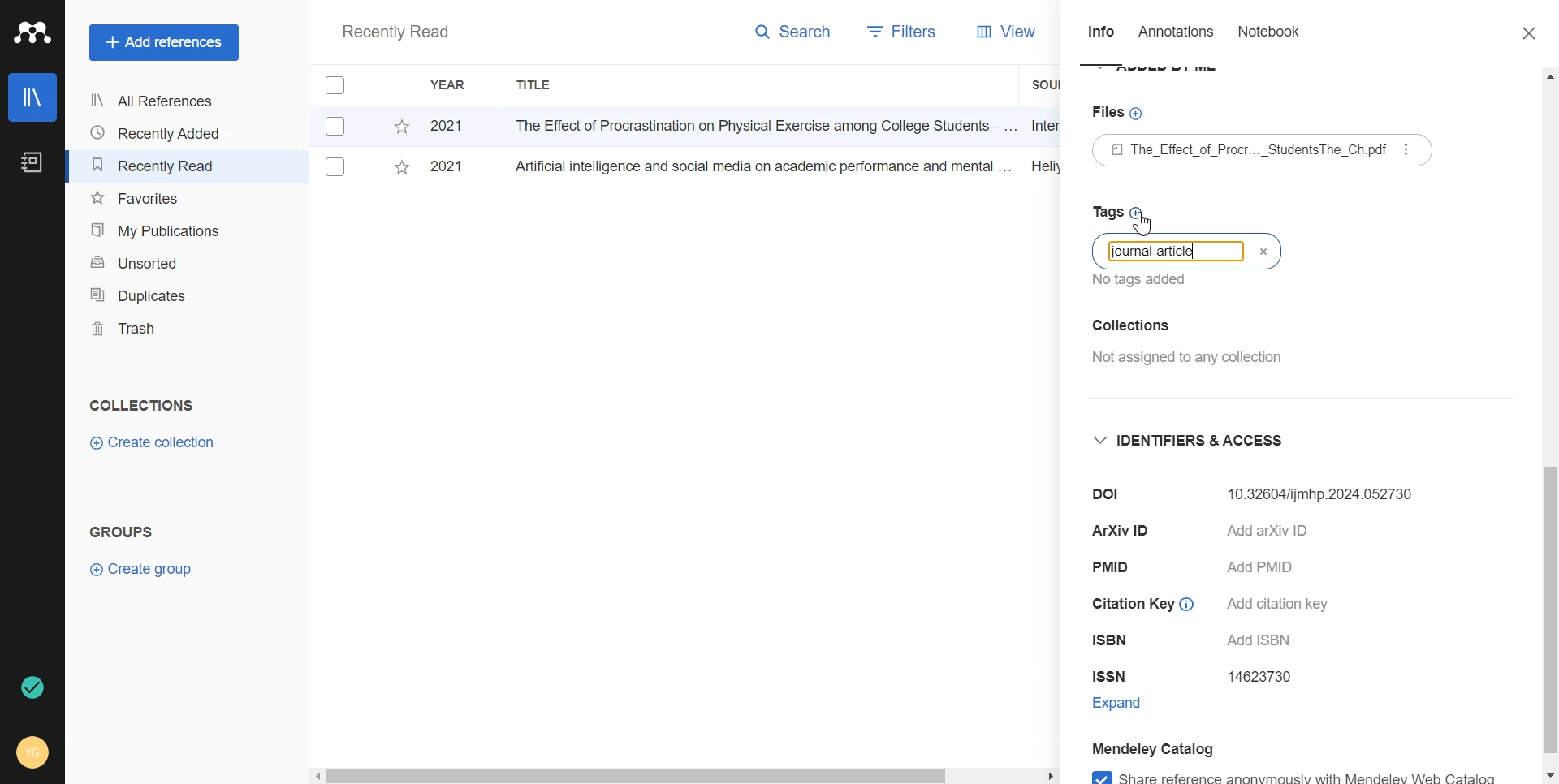 The height and width of the screenshot is (784, 1559). Describe the element at coordinates (1521, 34) in the screenshot. I see `Close ` at that location.